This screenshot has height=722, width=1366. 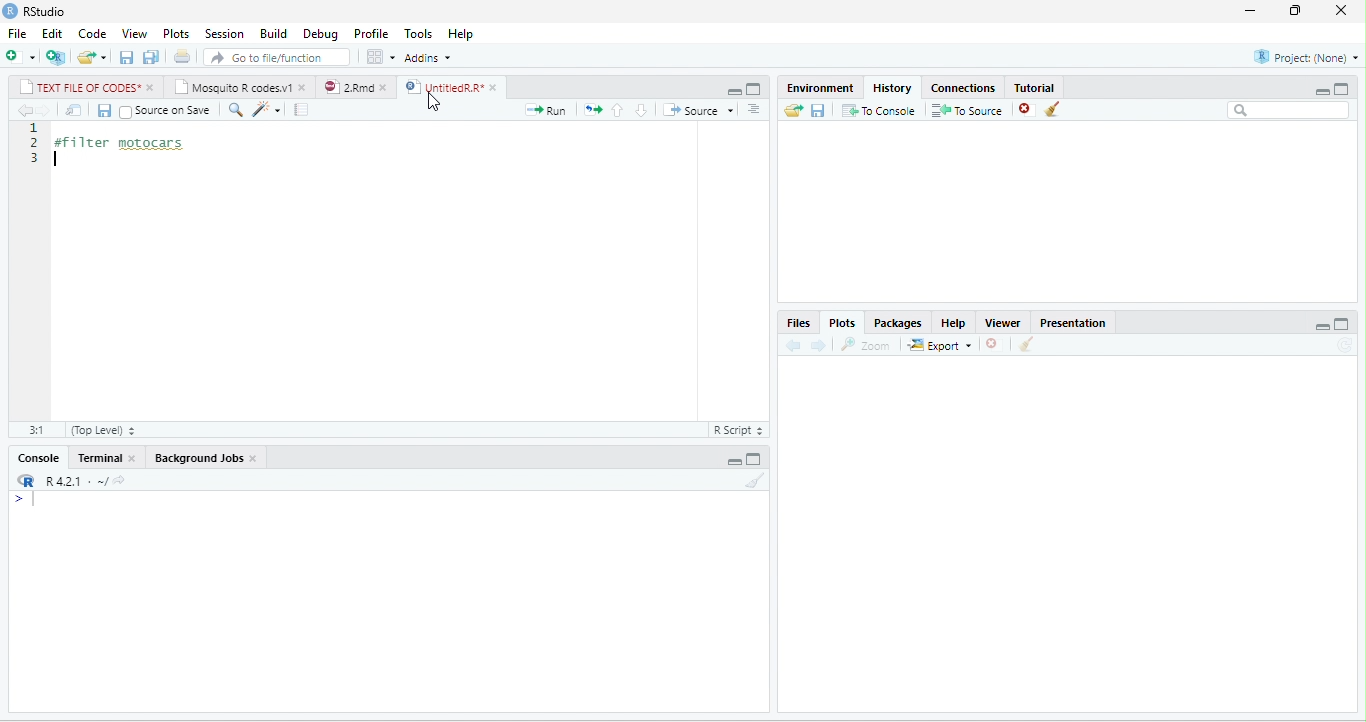 What do you see at coordinates (798, 323) in the screenshot?
I see `Files` at bounding box center [798, 323].